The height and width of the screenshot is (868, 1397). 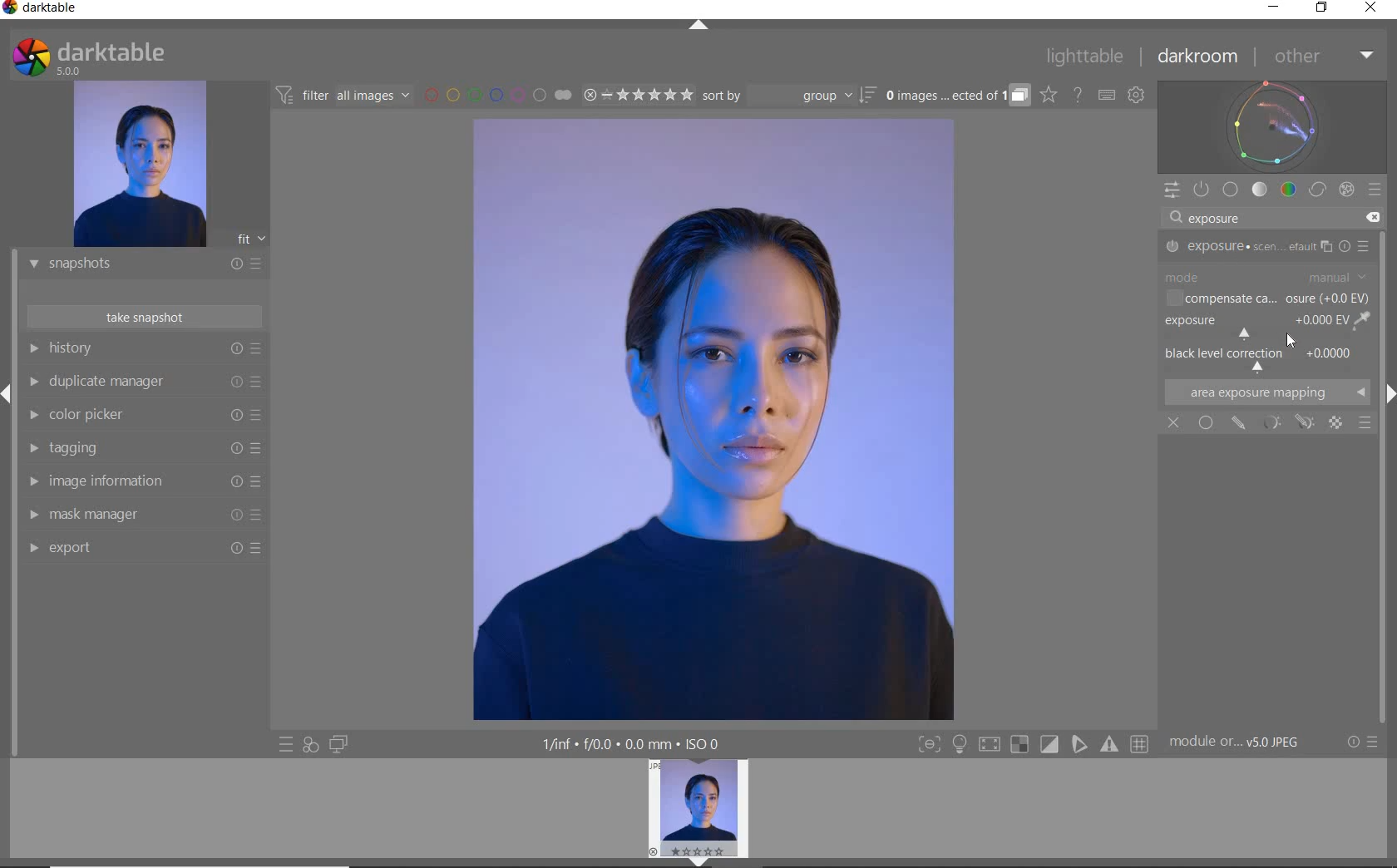 What do you see at coordinates (701, 27) in the screenshot?
I see `EXPAND/COLLAPSE` at bounding box center [701, 27].